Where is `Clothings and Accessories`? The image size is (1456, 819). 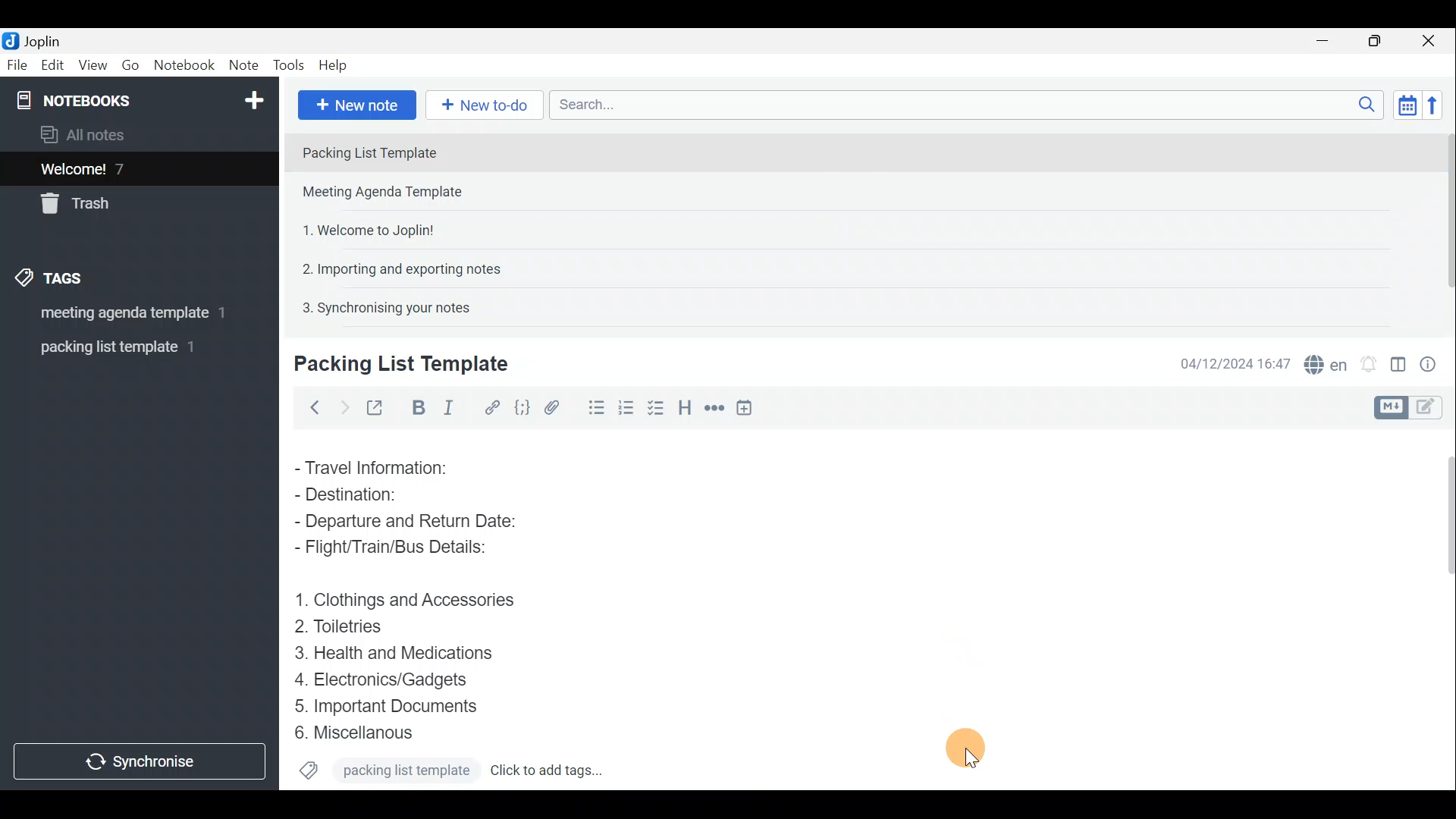 Clothings and Accessories is located at coordinates (408, 599).